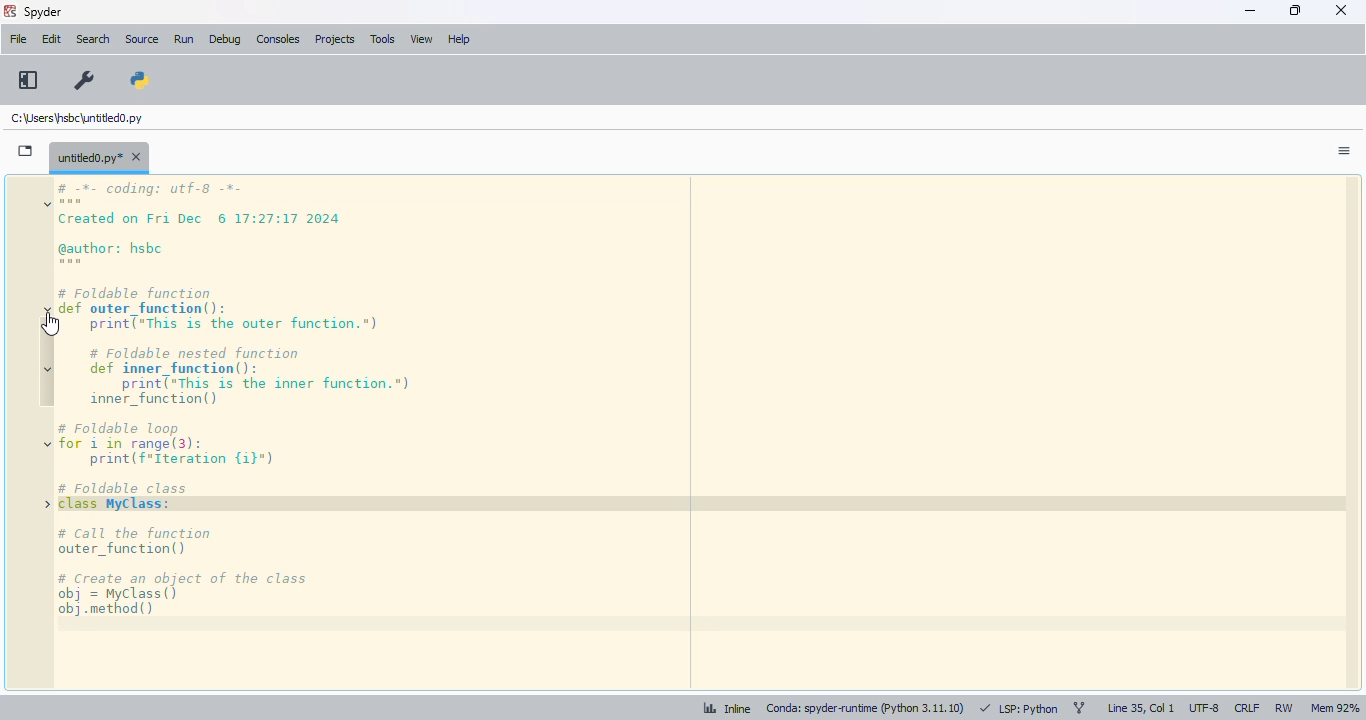  Describe the element at coordinates (277, 39) in the screenshot. I see `consoles` at that location.